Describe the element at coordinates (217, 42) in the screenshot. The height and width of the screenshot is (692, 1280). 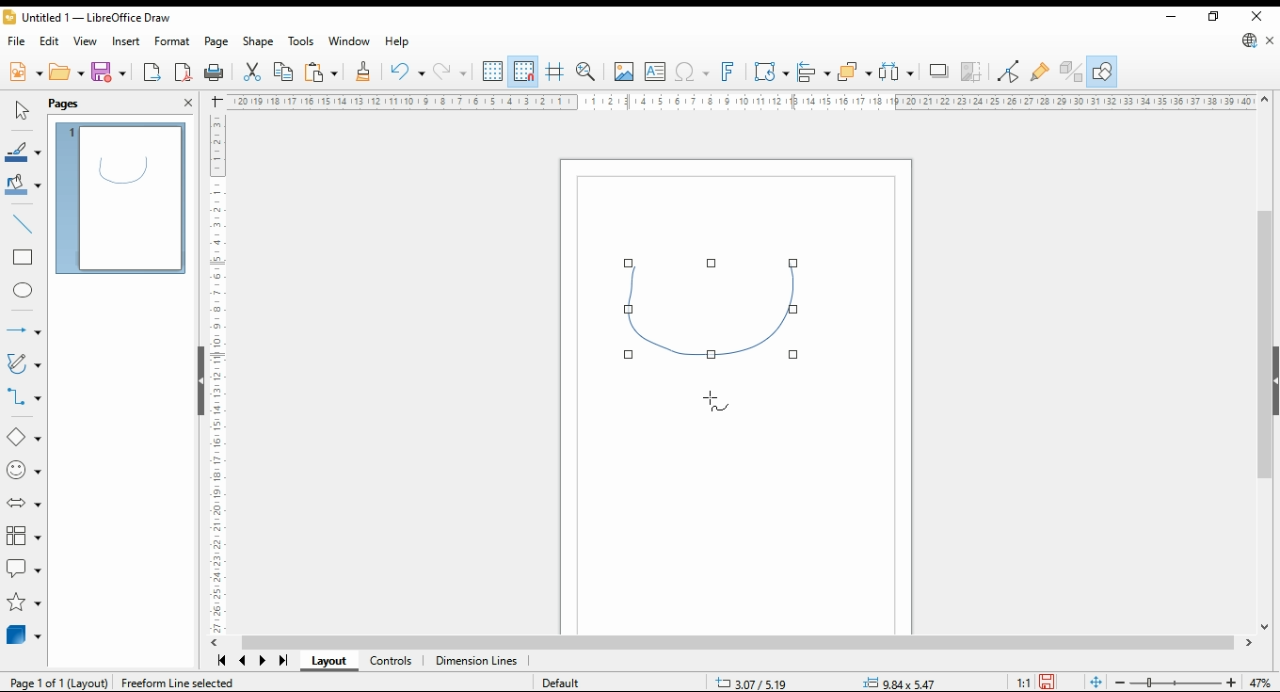
I see `page` at that location.